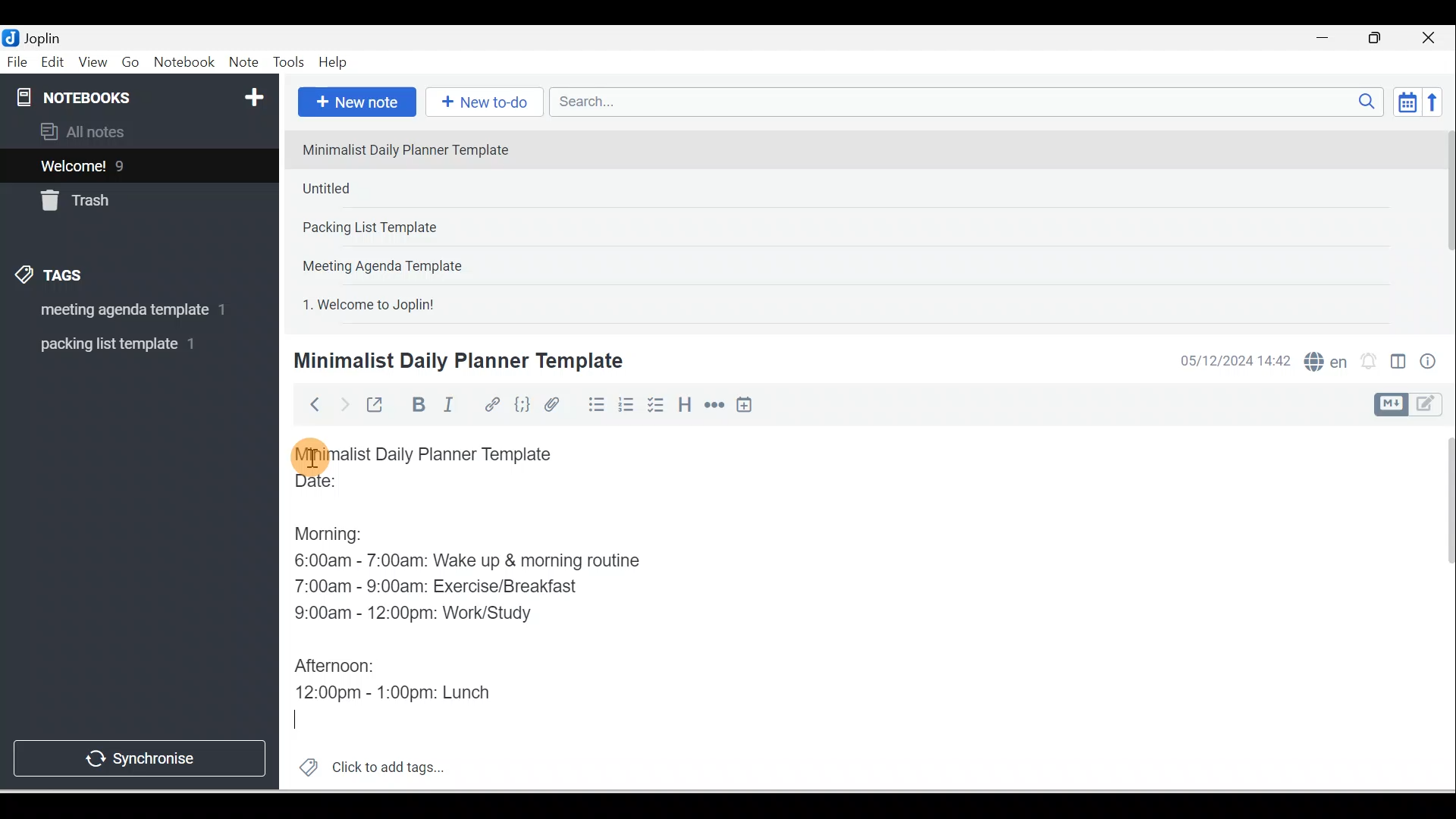  Describe the element at coordinates (418, 228) in the screenshot. I see `Note 3` at that location.